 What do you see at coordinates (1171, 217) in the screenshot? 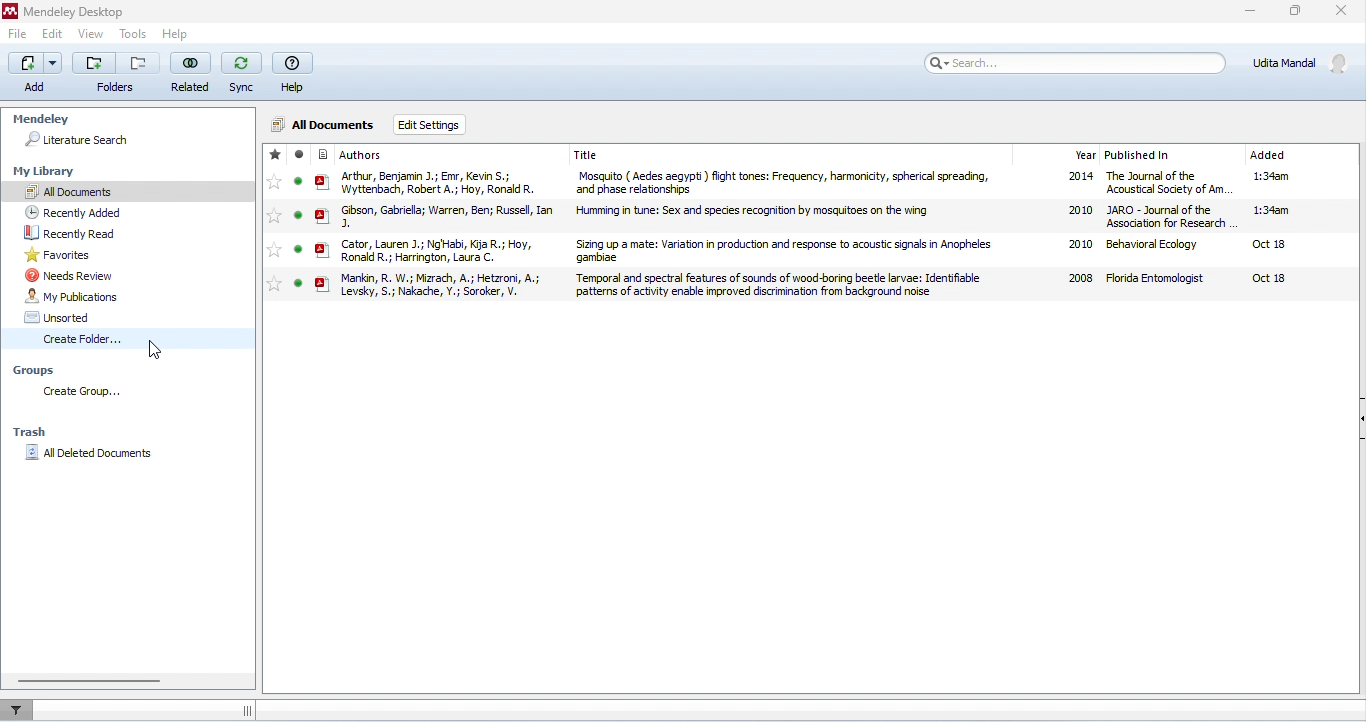
I see `JARO - Journal of the Association for Research in Otolaryngology` at bounding box center [1171, 217].